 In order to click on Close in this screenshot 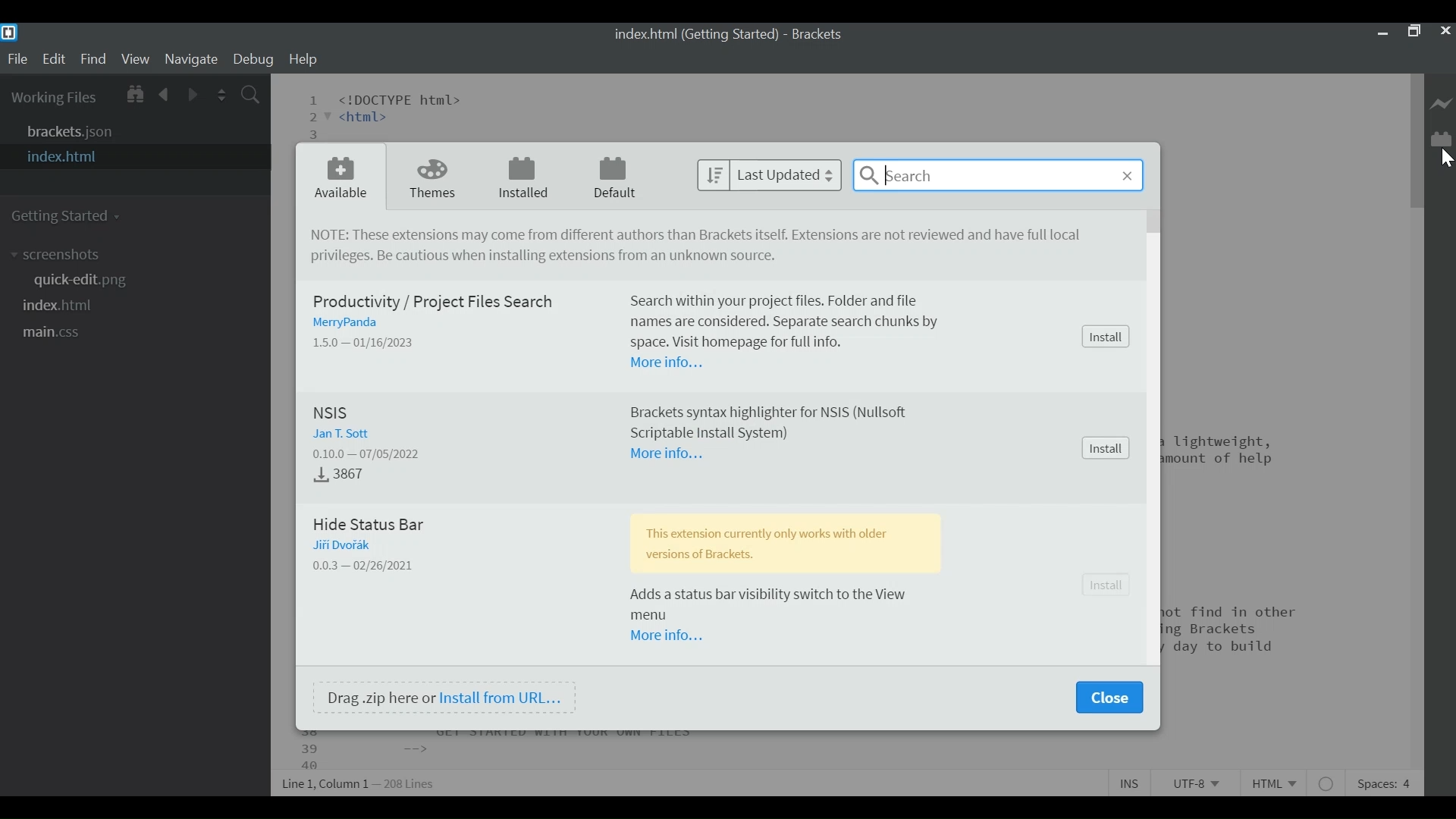, I will do `click(1109, 698)`.